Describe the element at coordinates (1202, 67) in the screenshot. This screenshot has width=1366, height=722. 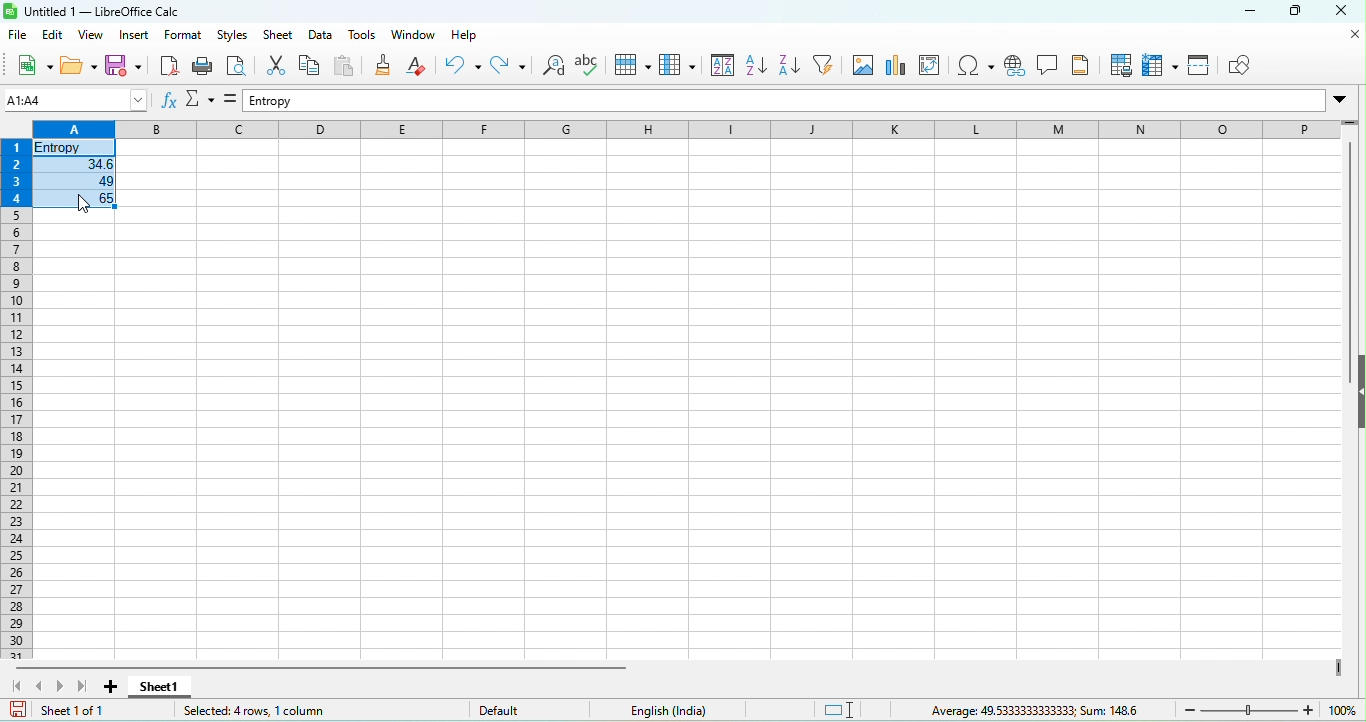
I see `split window` at that location.